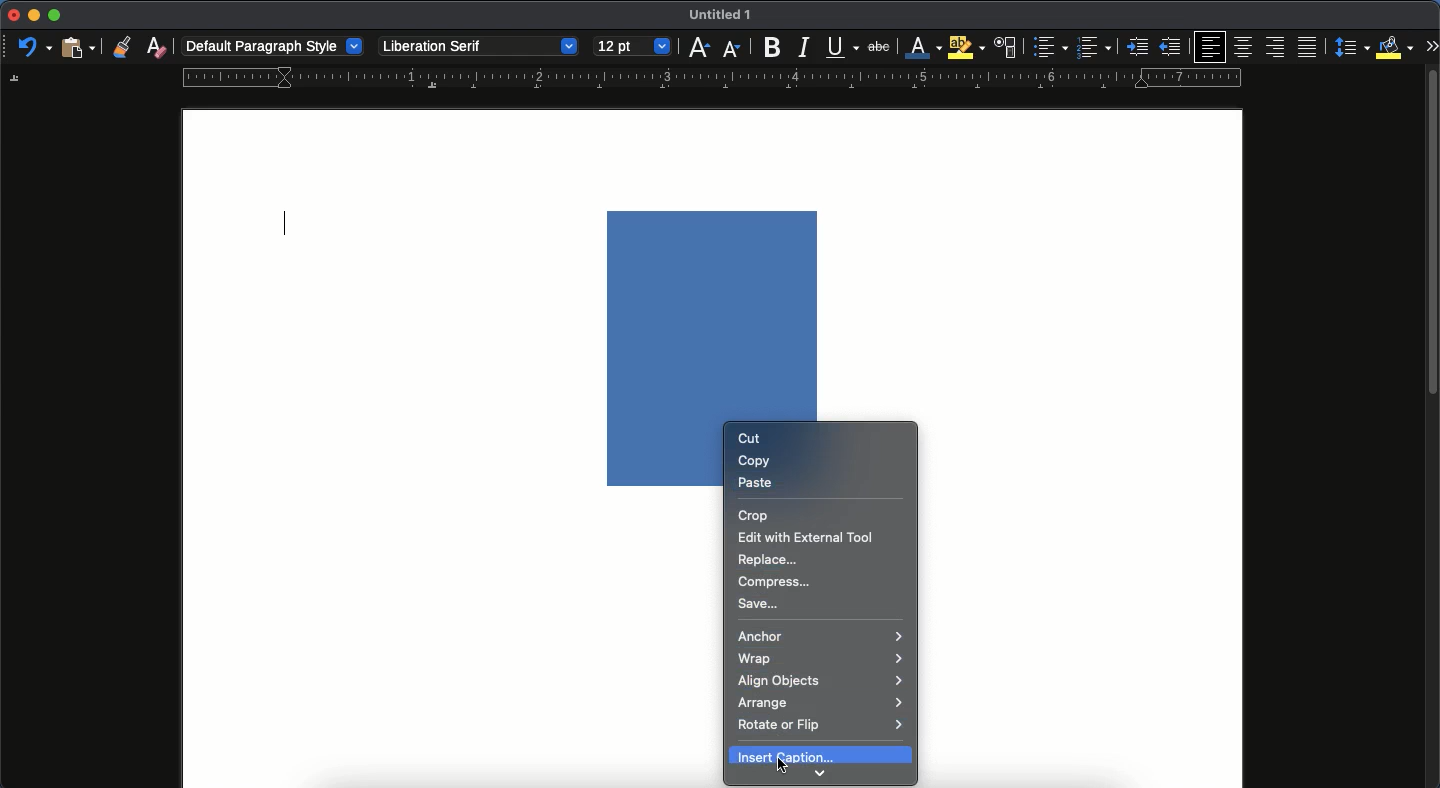 The width and height of the screenshot is (1440, 788). What do you see at coordinates (760, 605) in the screenshot?
I see `save` at bounding box center [760, 605].